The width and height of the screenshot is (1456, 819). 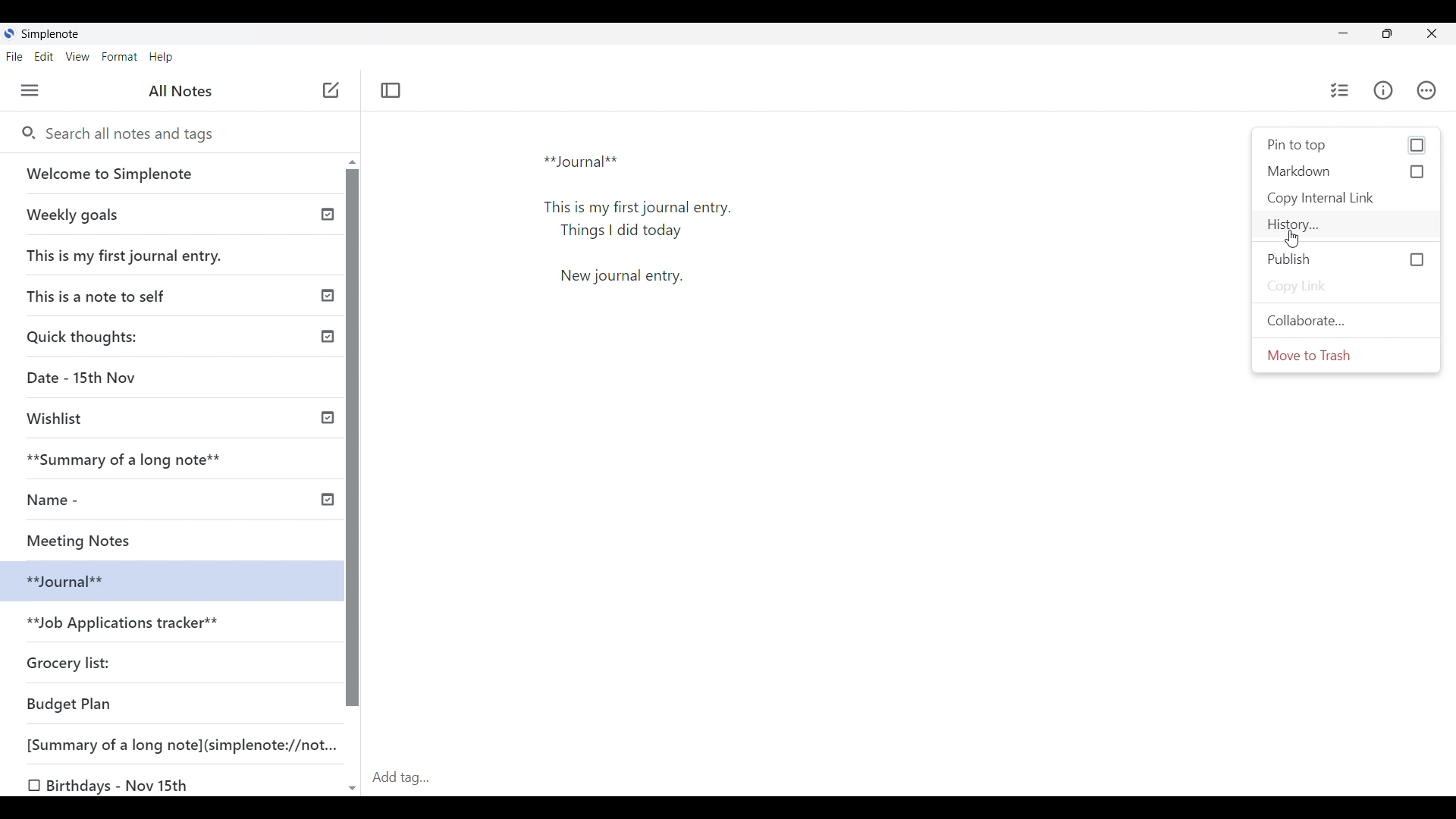 What do you see at coordinates (61, 419) in the screenshot?
I see `Wishlist` at bounding box center [61, 419].